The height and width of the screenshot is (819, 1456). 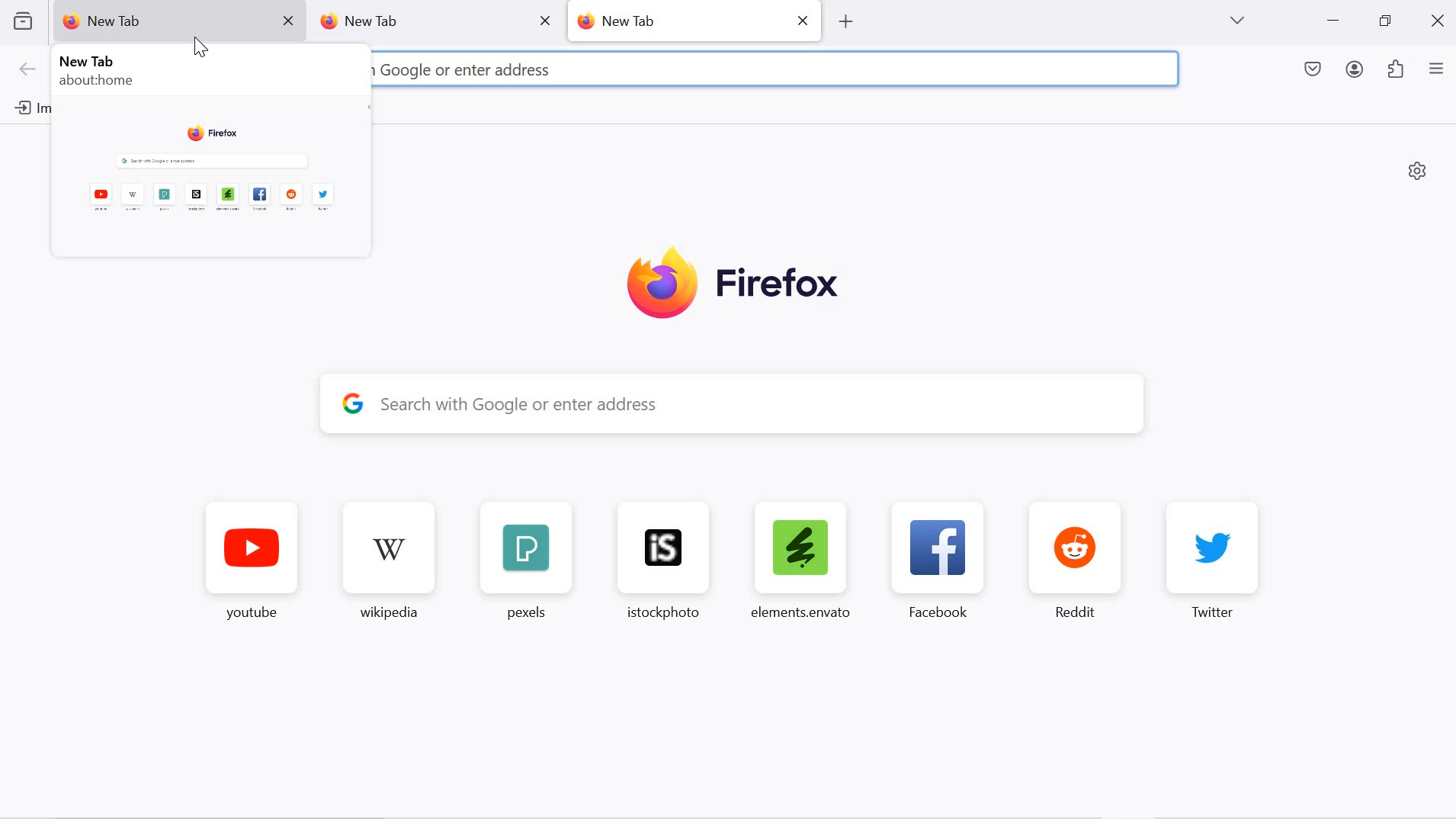 I want to click on y Search with Google or enter address, so click(x=746, y=404).